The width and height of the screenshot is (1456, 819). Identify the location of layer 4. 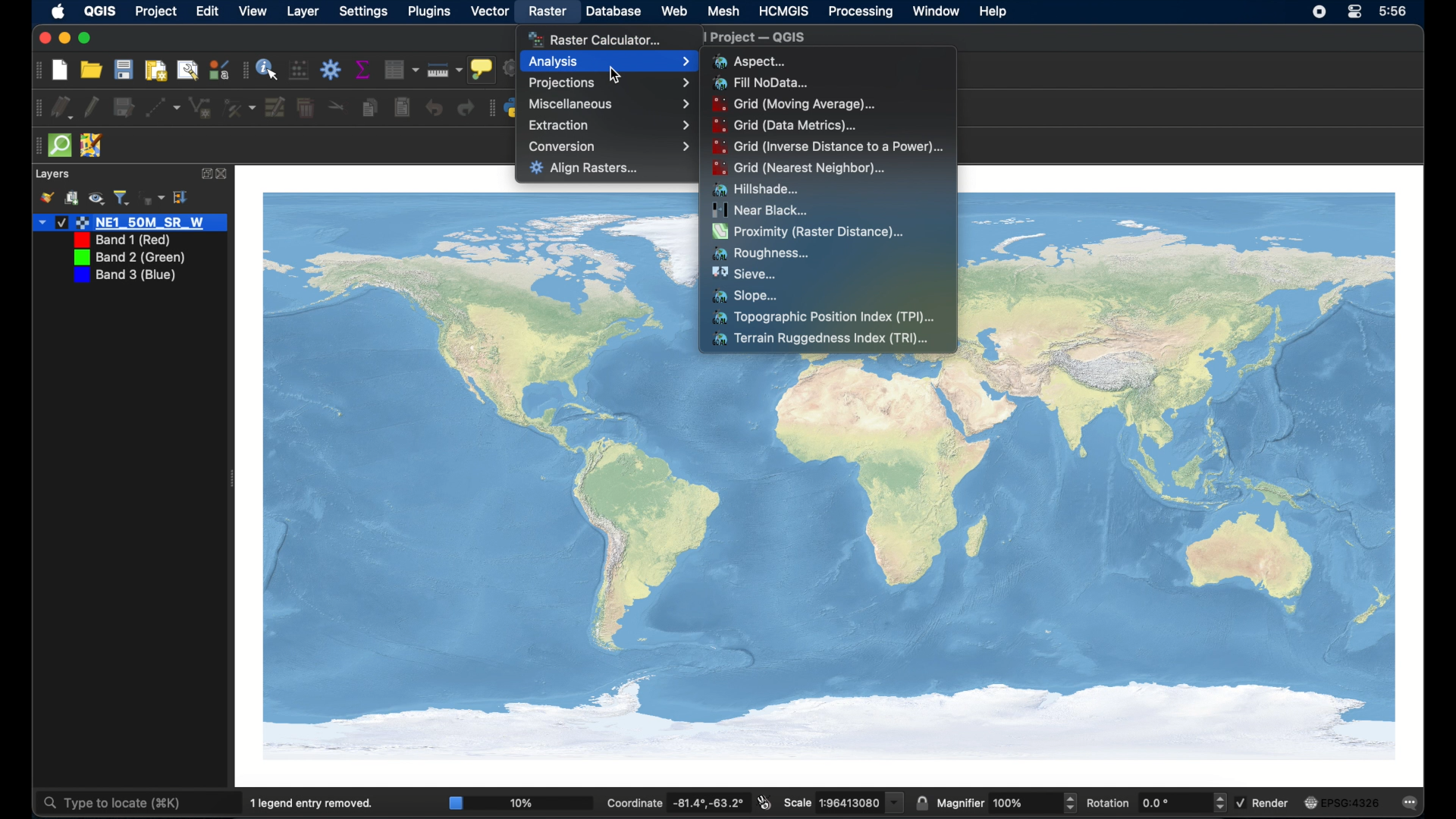
(124, 276).